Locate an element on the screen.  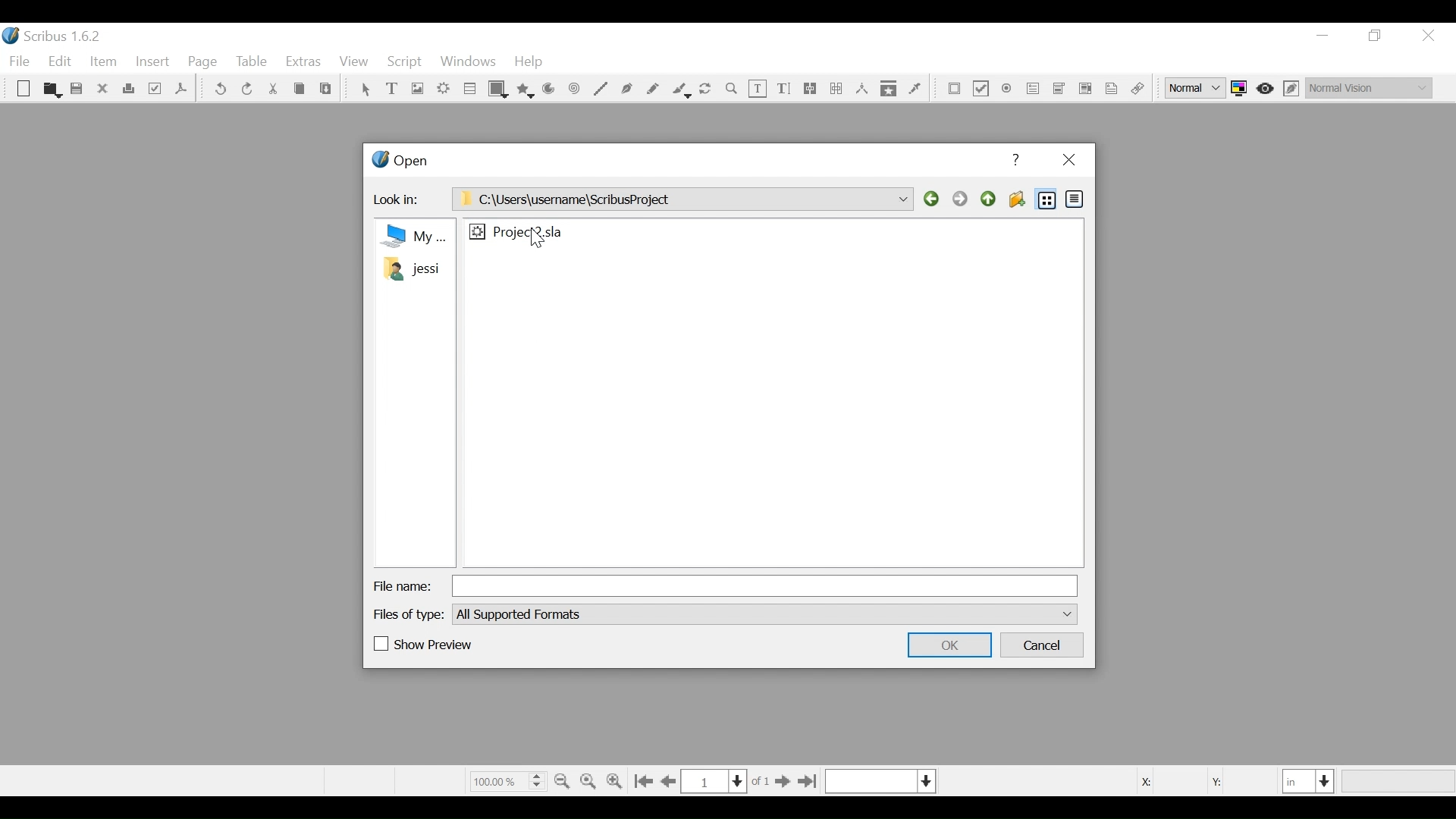
Text Frame is located at coordinates (394, 89).